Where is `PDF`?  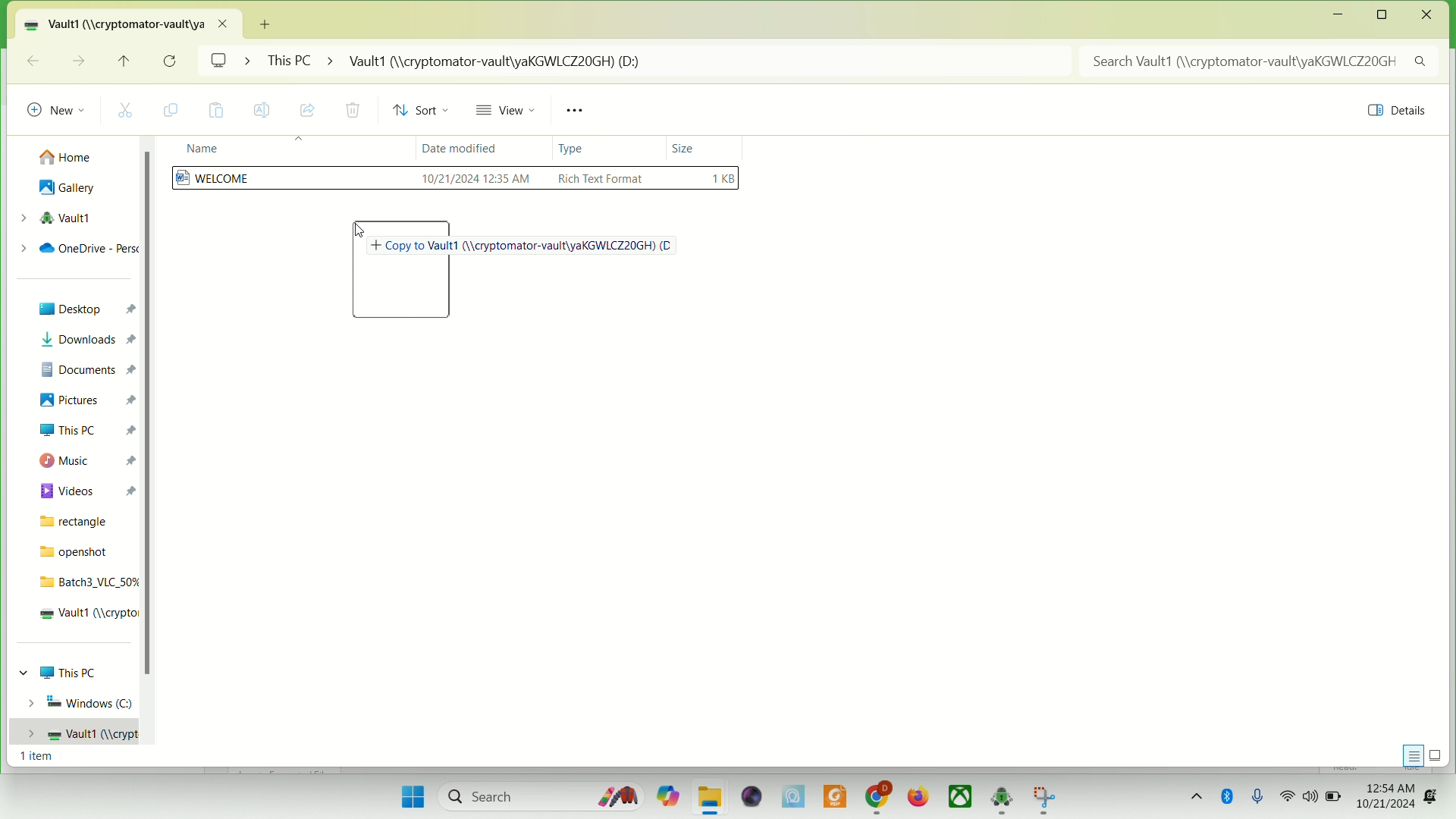 PDF is located at coordinates (833, 795).